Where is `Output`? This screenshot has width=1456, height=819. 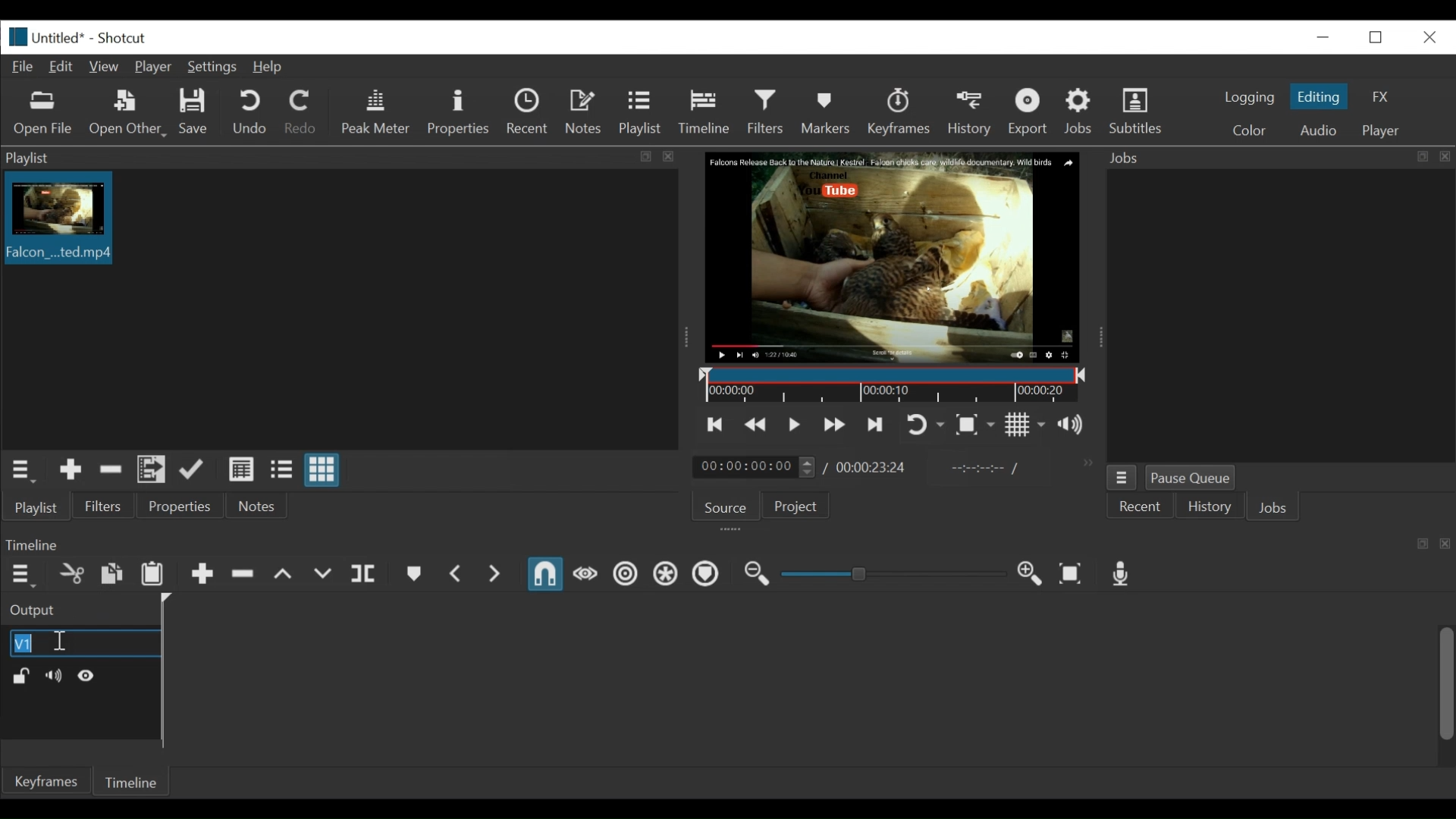
Output is located at coordinates (71, 610).